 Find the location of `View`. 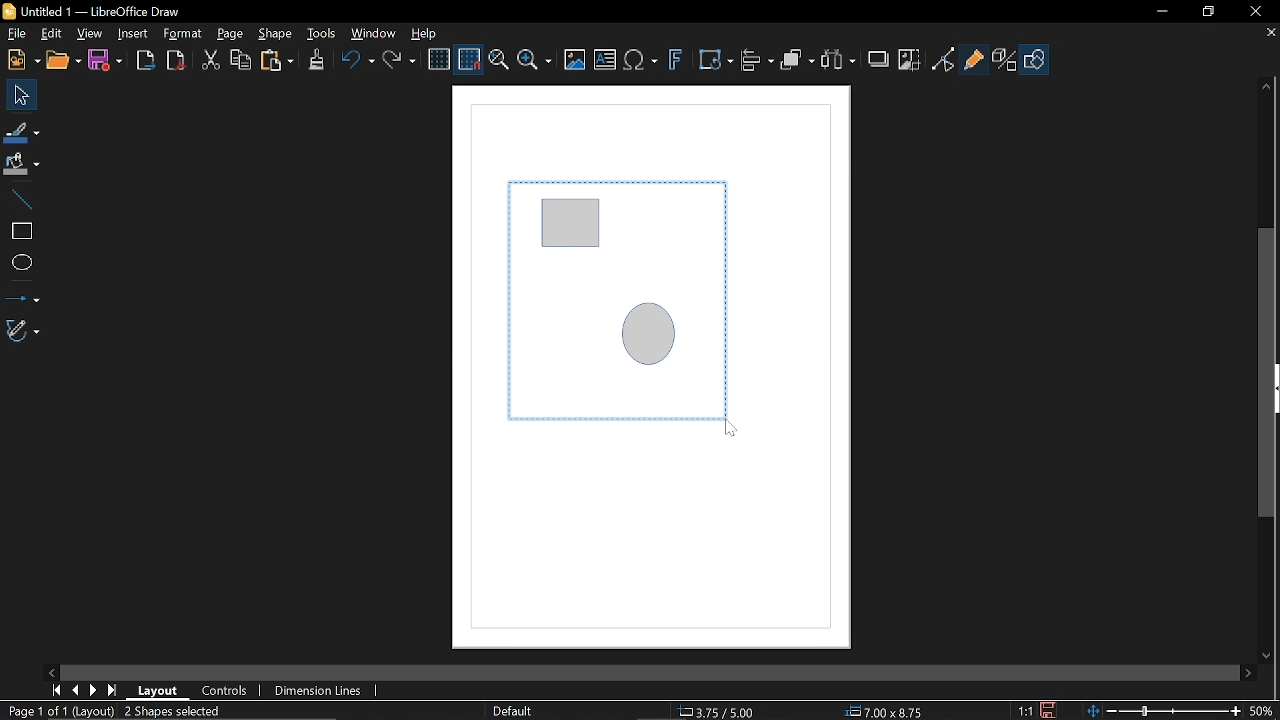

View is located at coordinates (89, 34).